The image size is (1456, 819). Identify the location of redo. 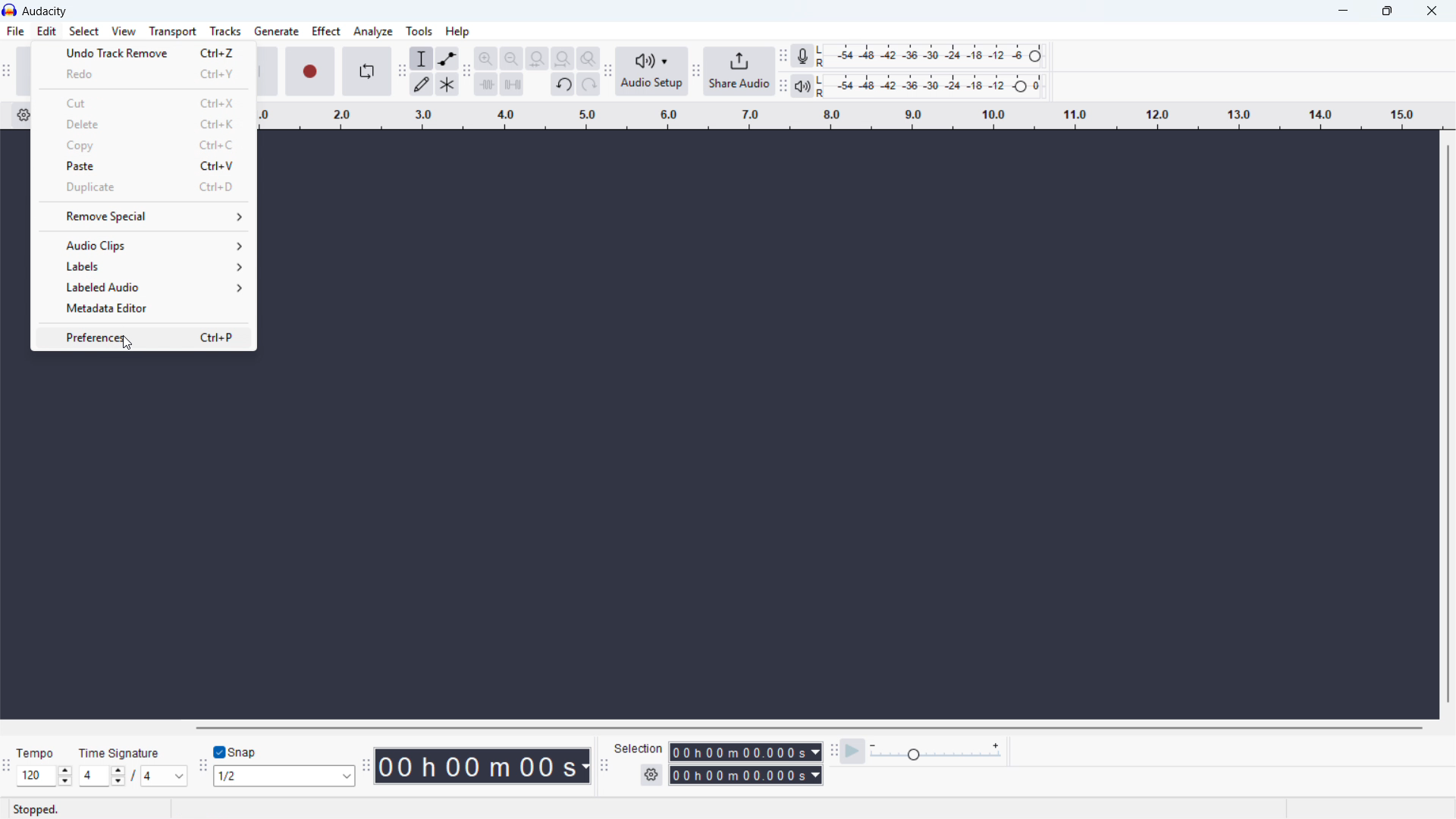
(588, 83).